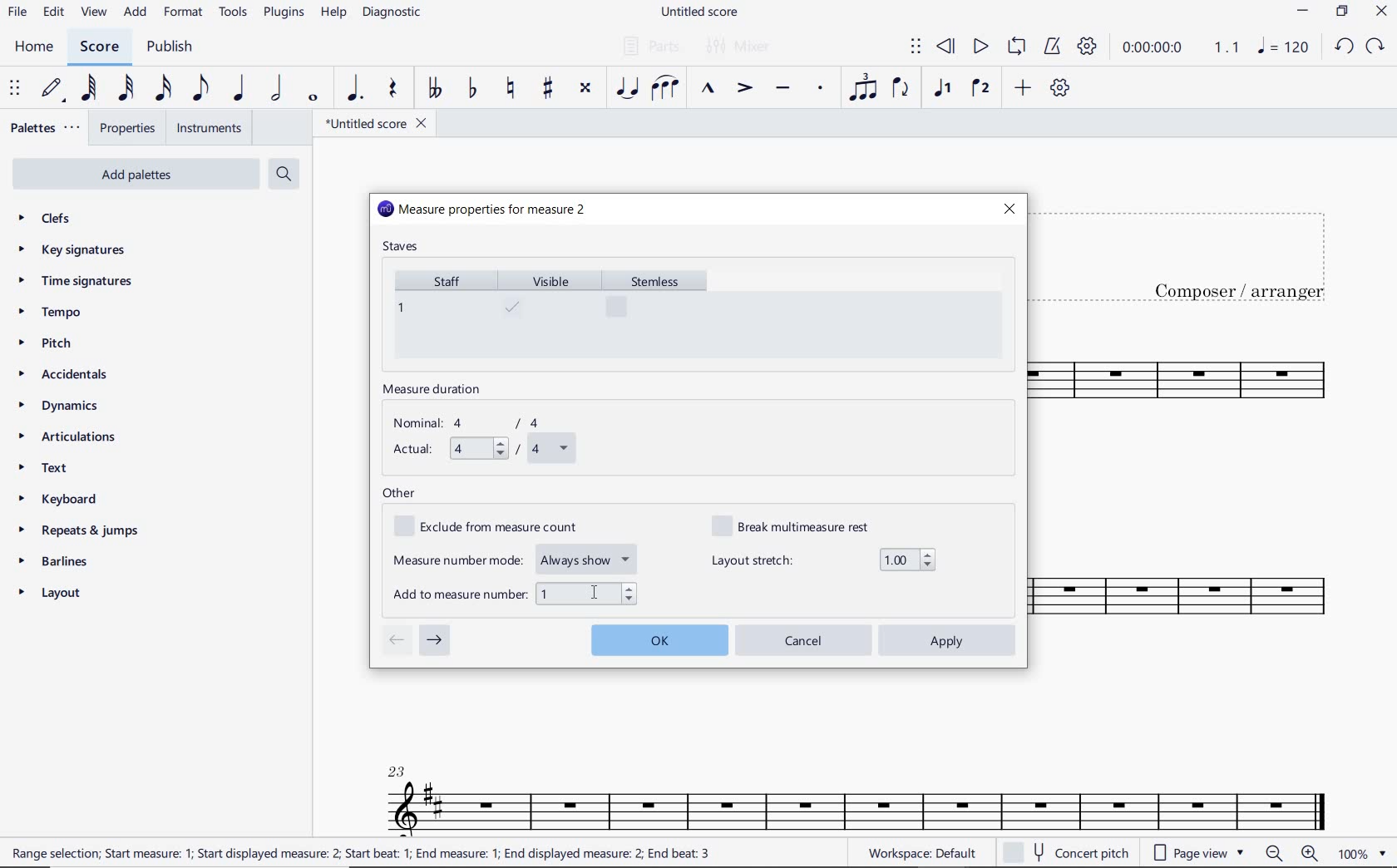 This screenshot has width=1397, height=868. I want to click on TIE, so click(627, 87).